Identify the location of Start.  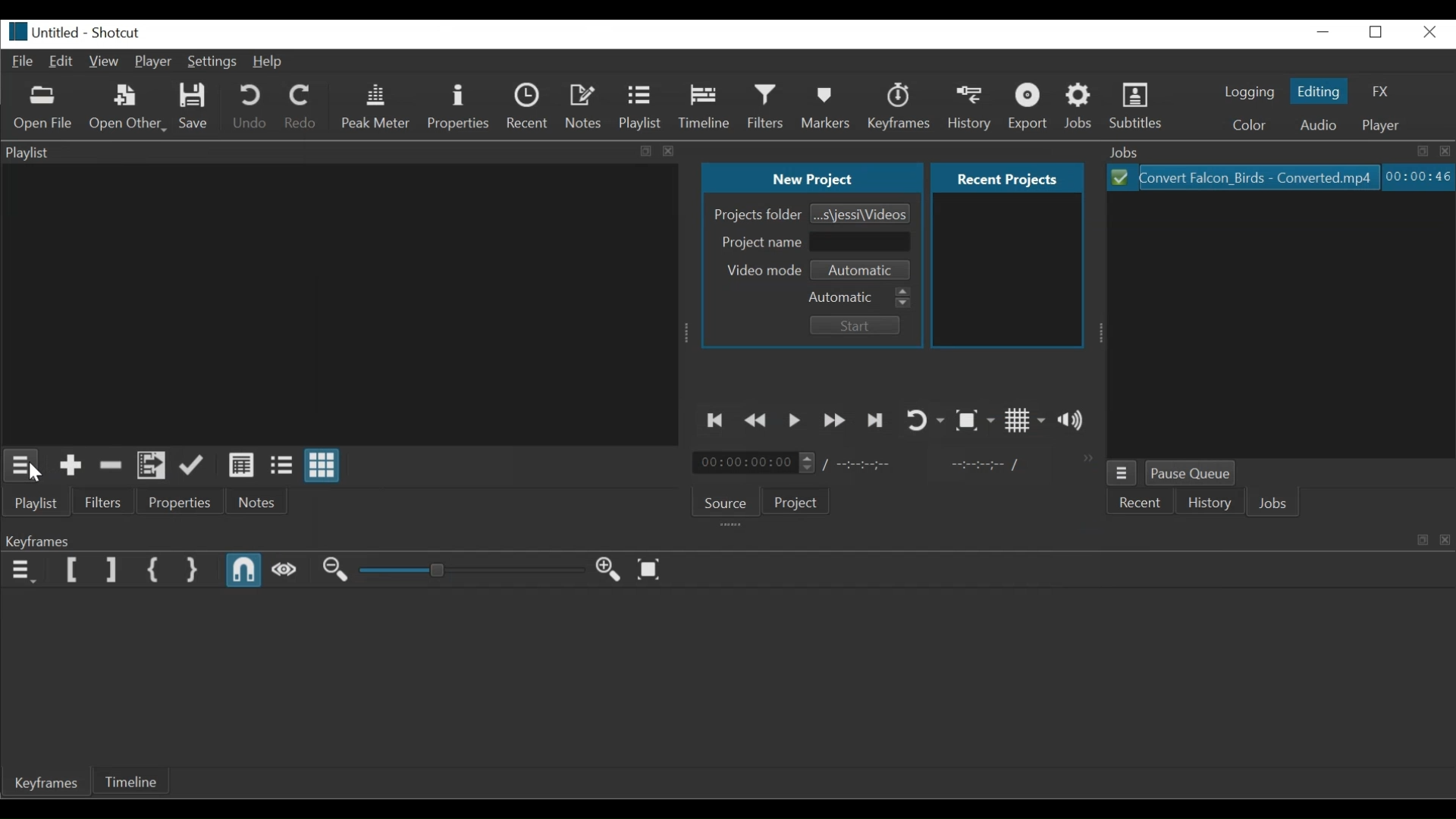
(859, 327).